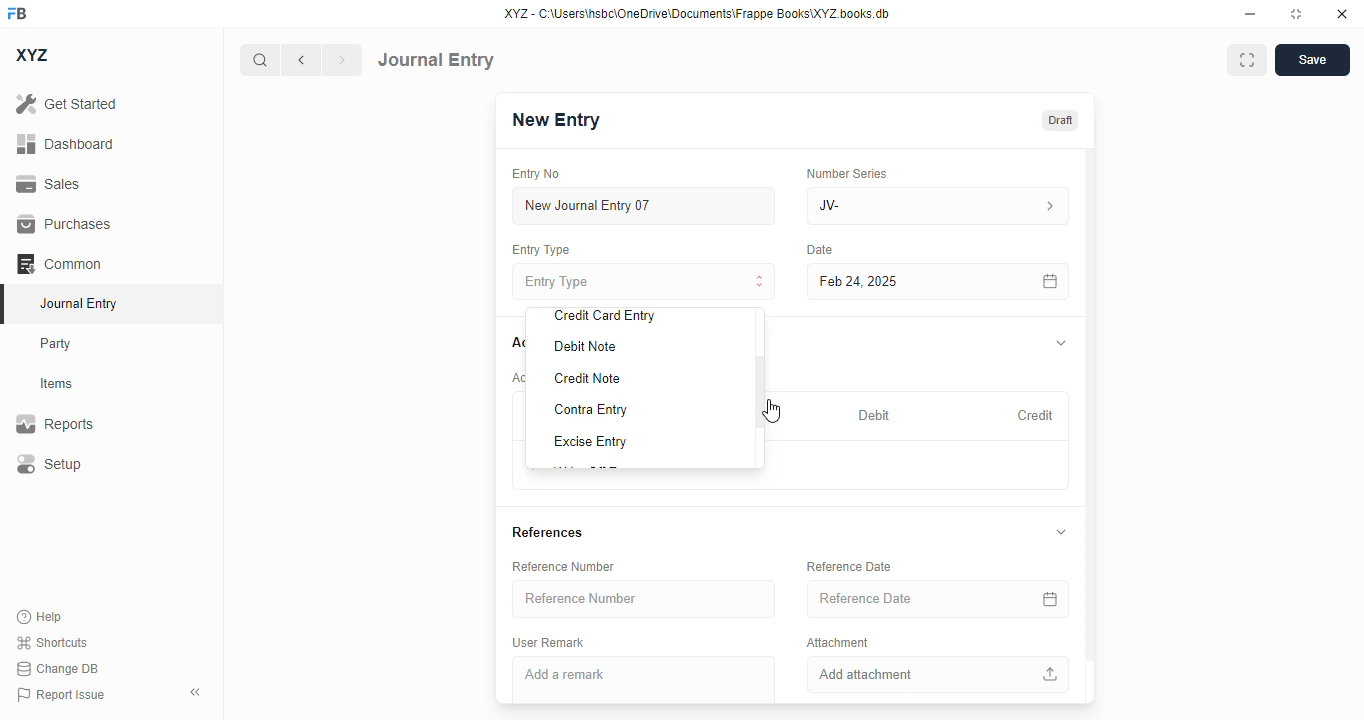  What do you see at coordinates (587, 379) in the screenshot?
I see `credit note` at bounding box center [587, 379].